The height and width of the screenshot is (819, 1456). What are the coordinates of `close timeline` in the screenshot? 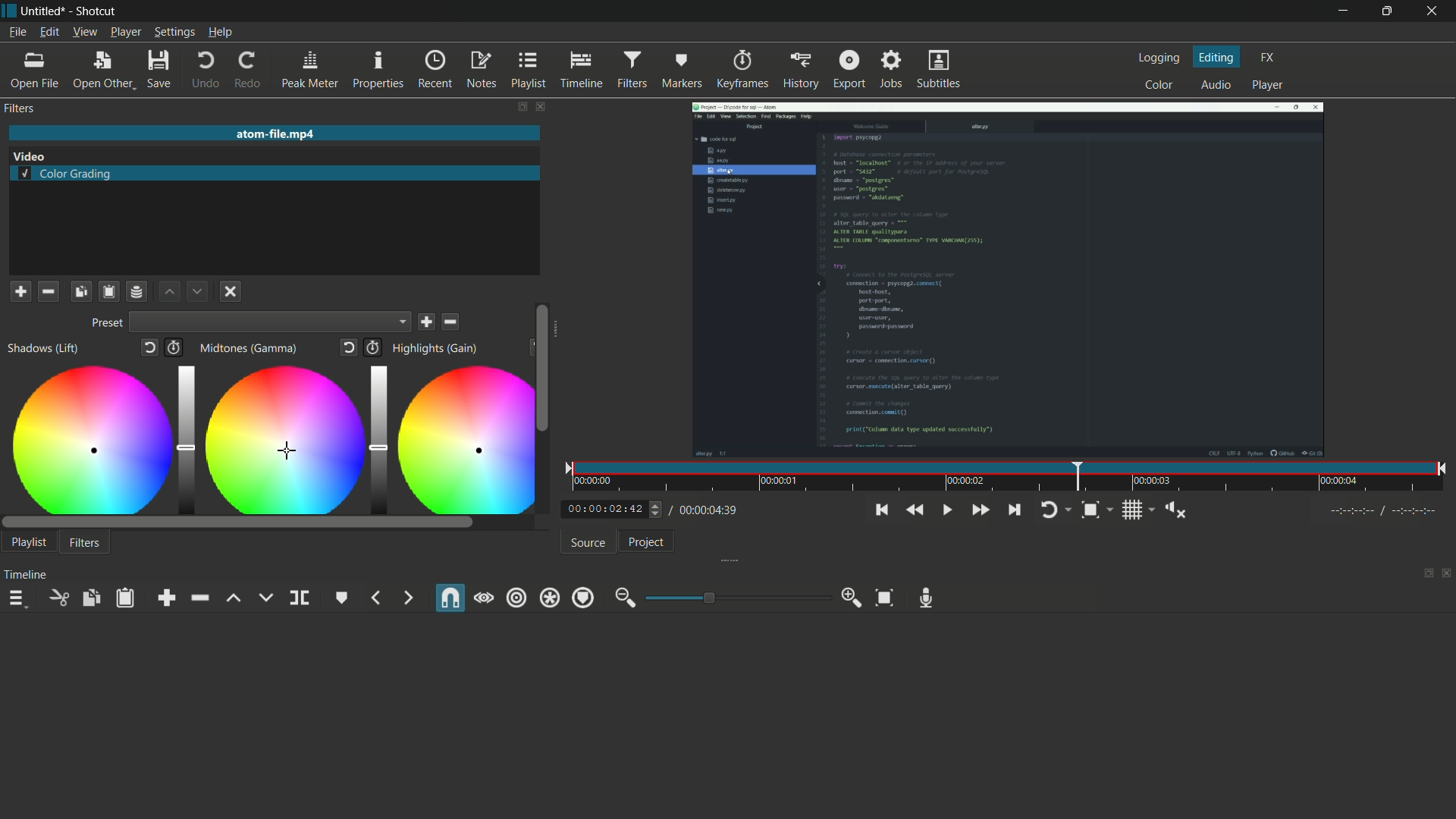 It's located at (1447, 574).